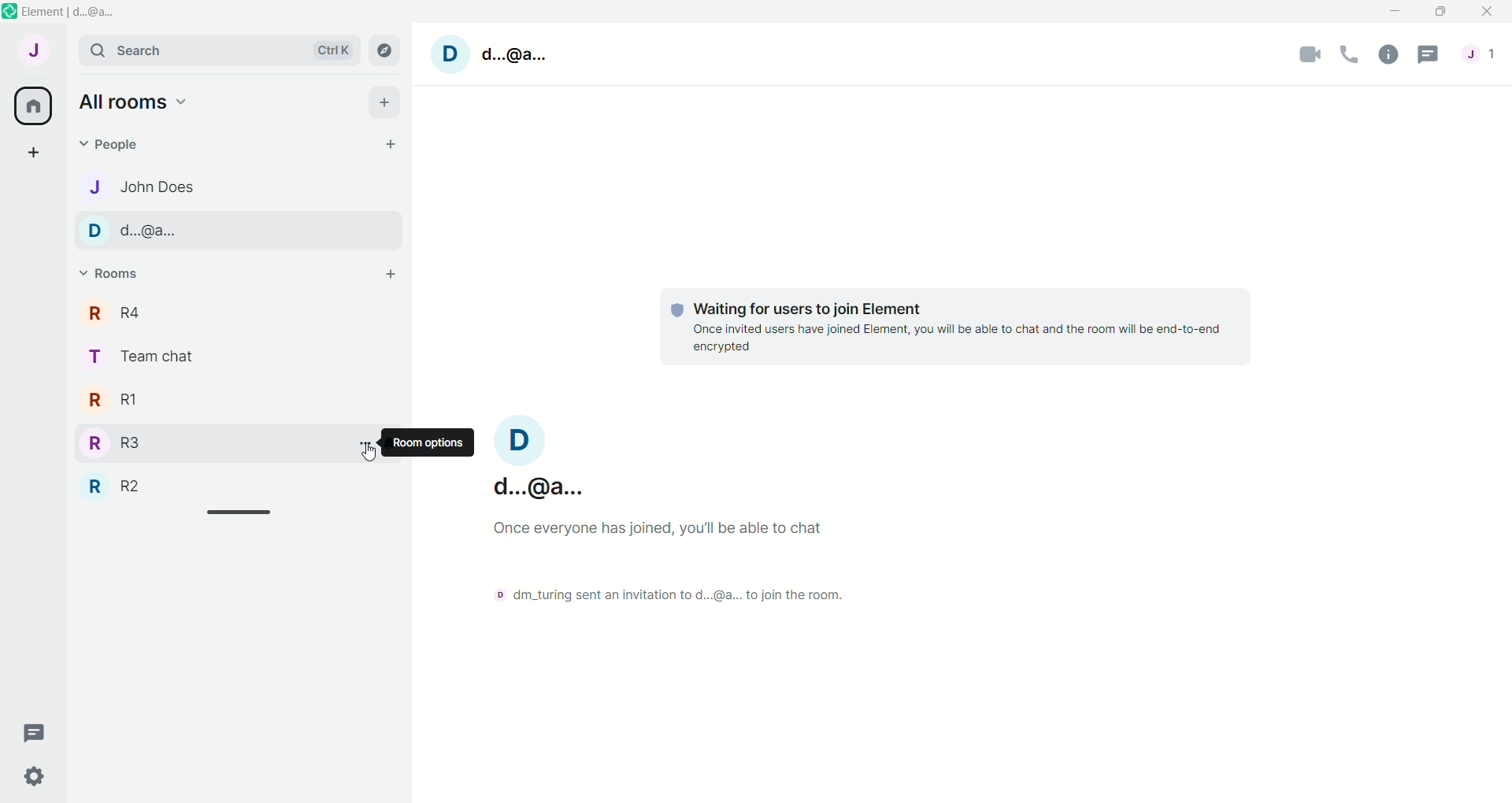  Describe the element at coordinates (485, 52) in the screenshot. I see `account: d...@...` at that location.